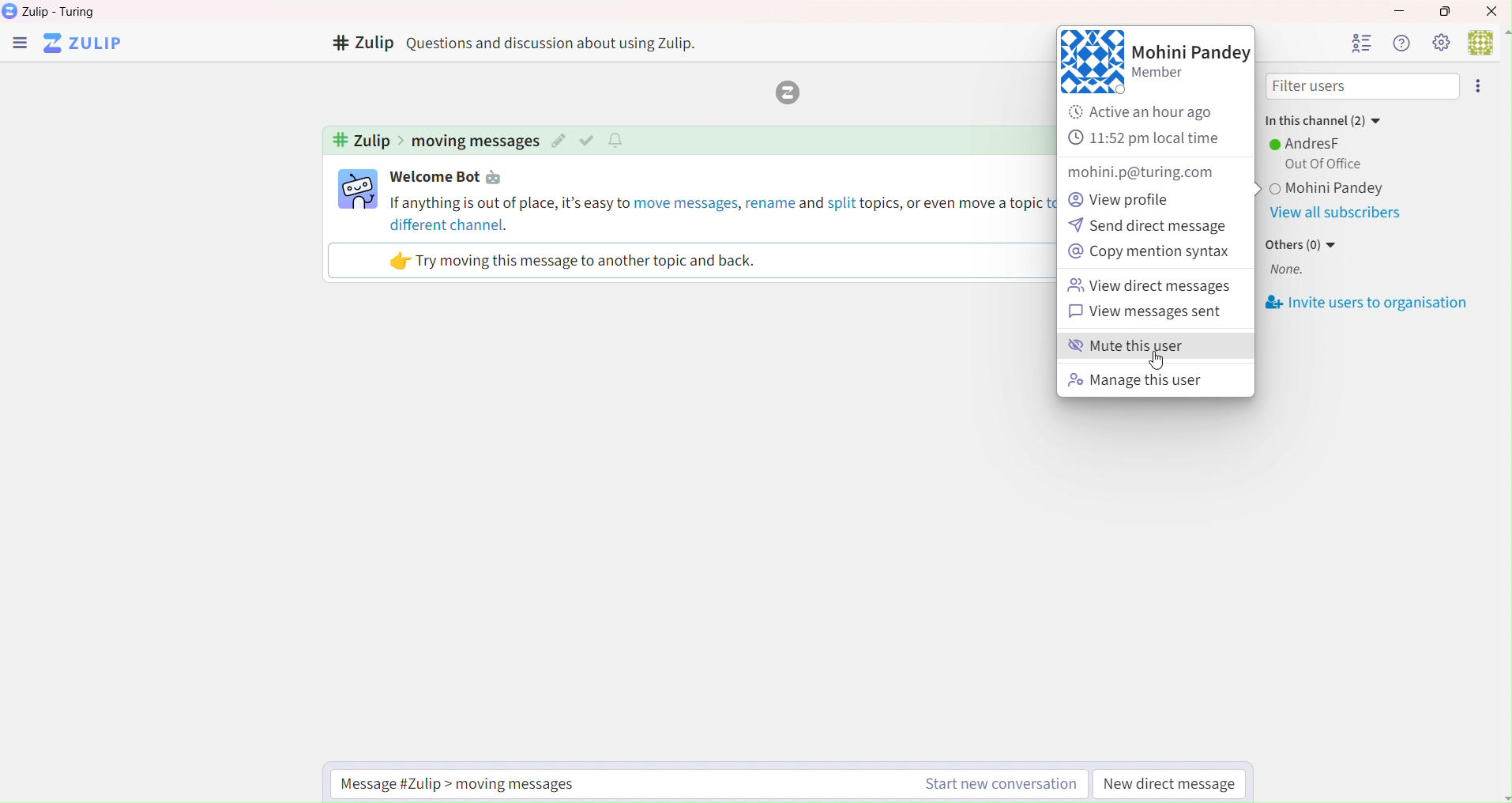  Describe the element at coordinates (1303, 244) in the screenshot. I see `Others (0)` at that location.